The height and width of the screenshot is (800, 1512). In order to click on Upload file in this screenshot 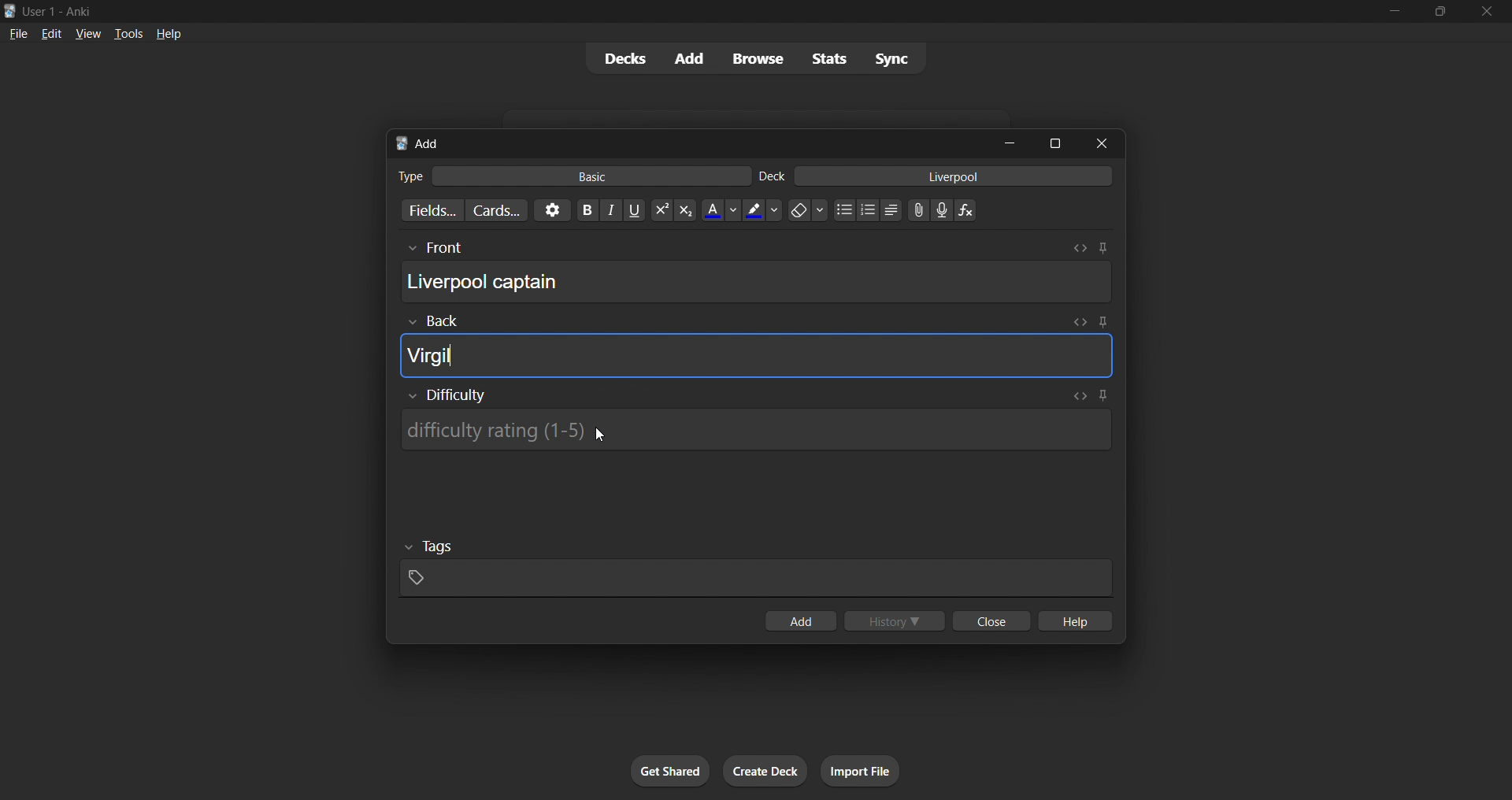, I will do `click(919, 210)`.